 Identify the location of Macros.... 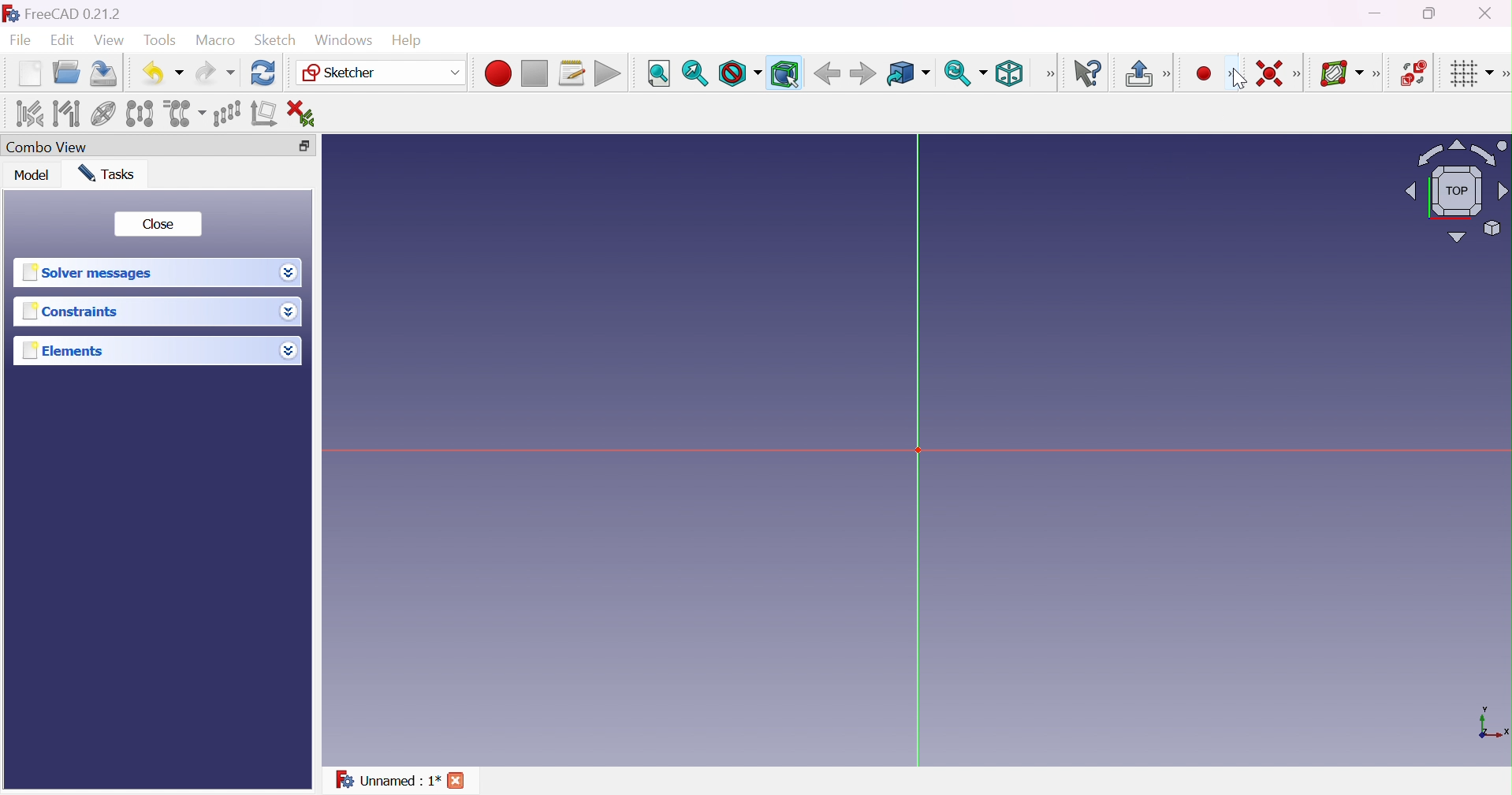
(572, 73).